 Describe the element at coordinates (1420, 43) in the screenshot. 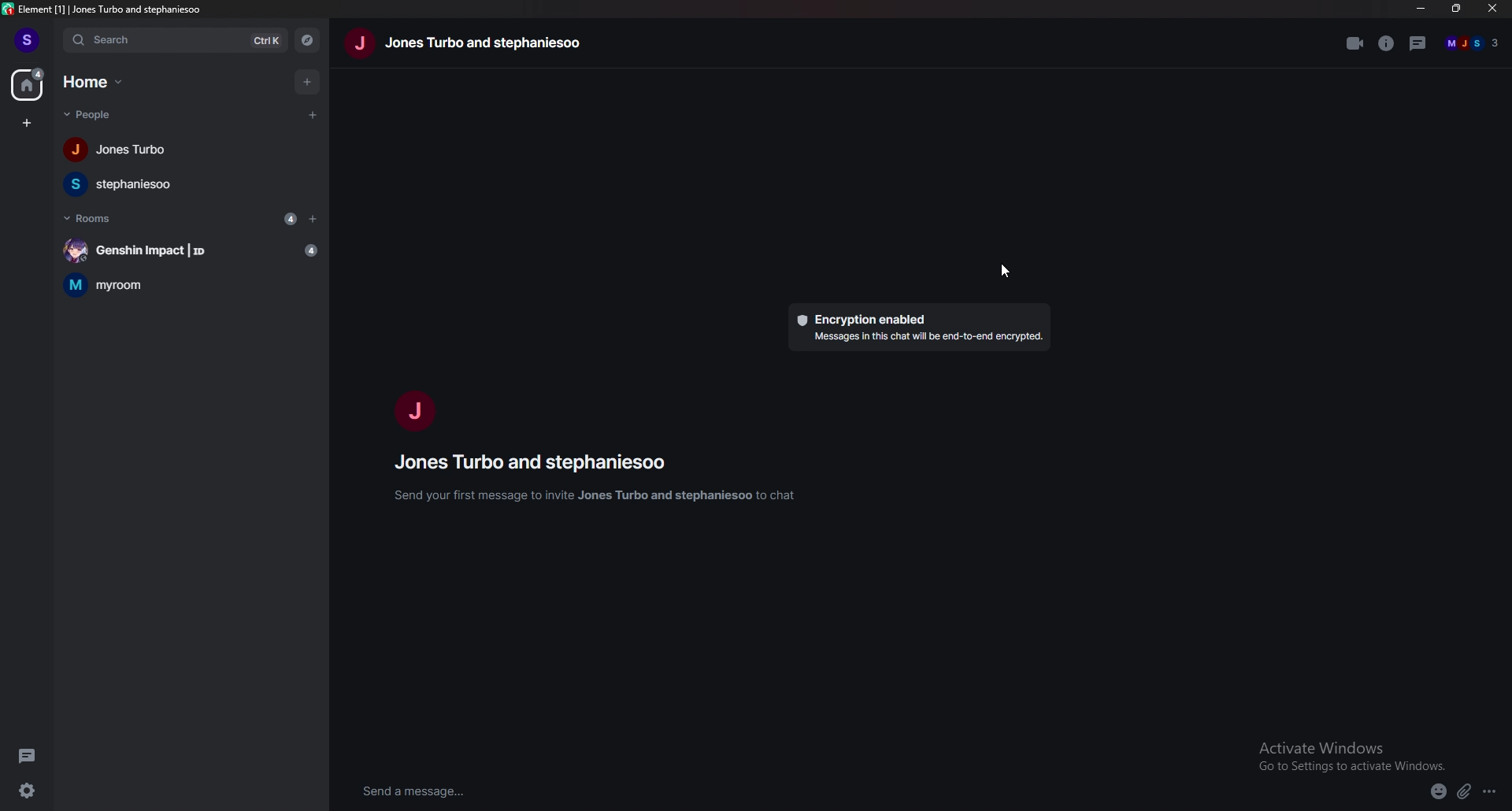

I see `threads` at that location.